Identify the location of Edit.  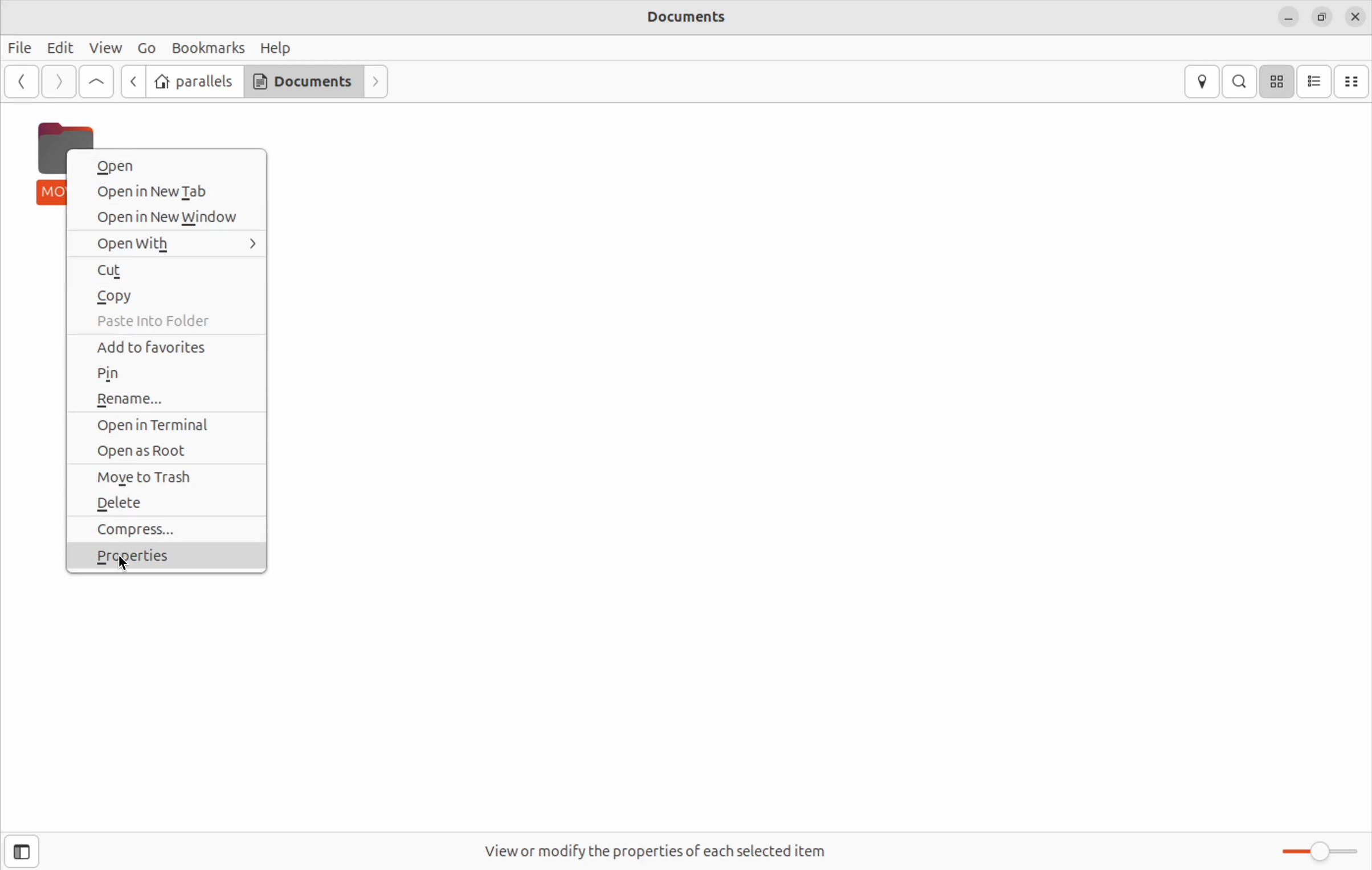
(59, 48).